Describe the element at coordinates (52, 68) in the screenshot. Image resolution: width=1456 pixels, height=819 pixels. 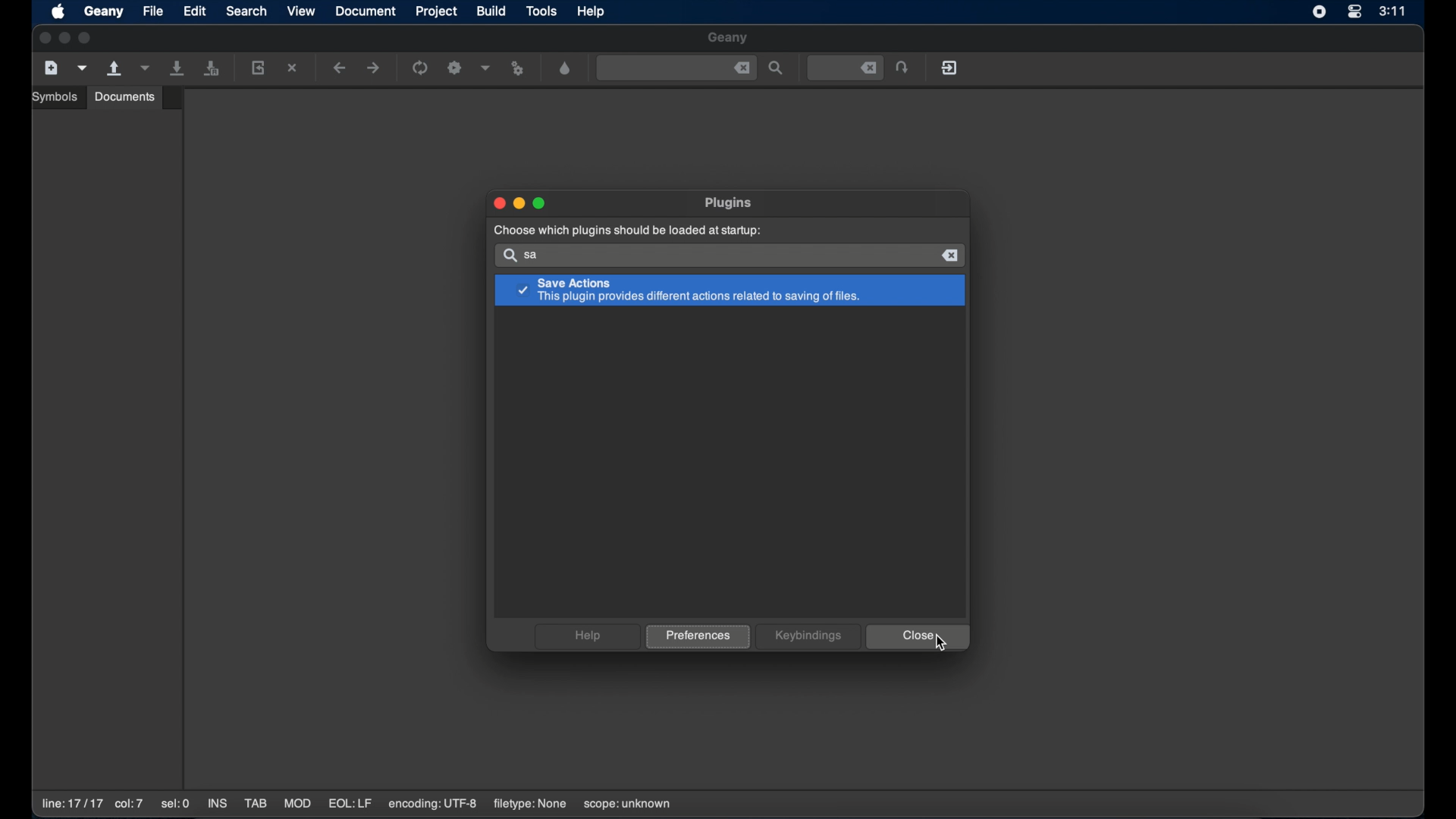
I see `create a new file` at that location.